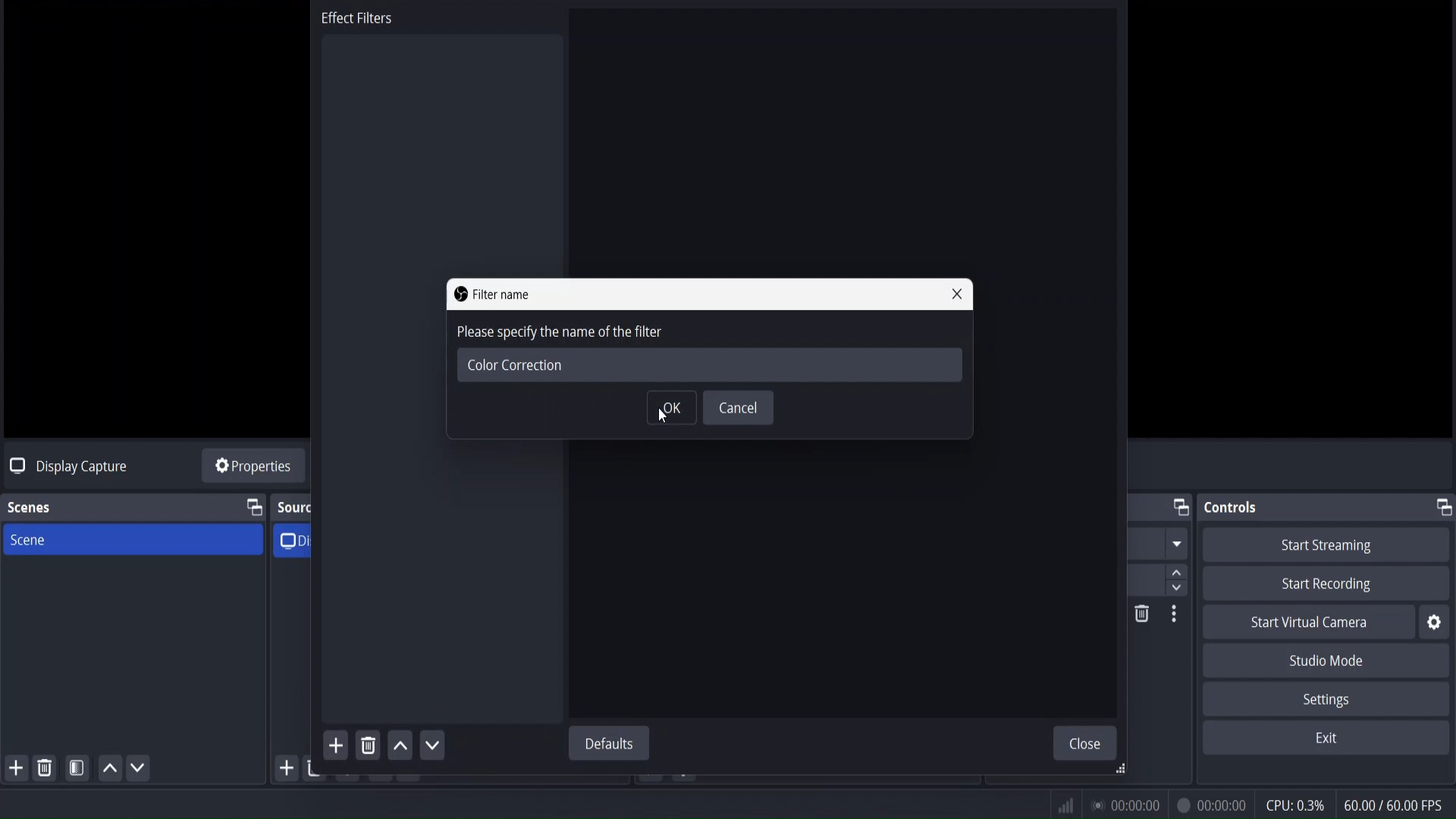  I want to click on add effect filter, so click(334, 745).